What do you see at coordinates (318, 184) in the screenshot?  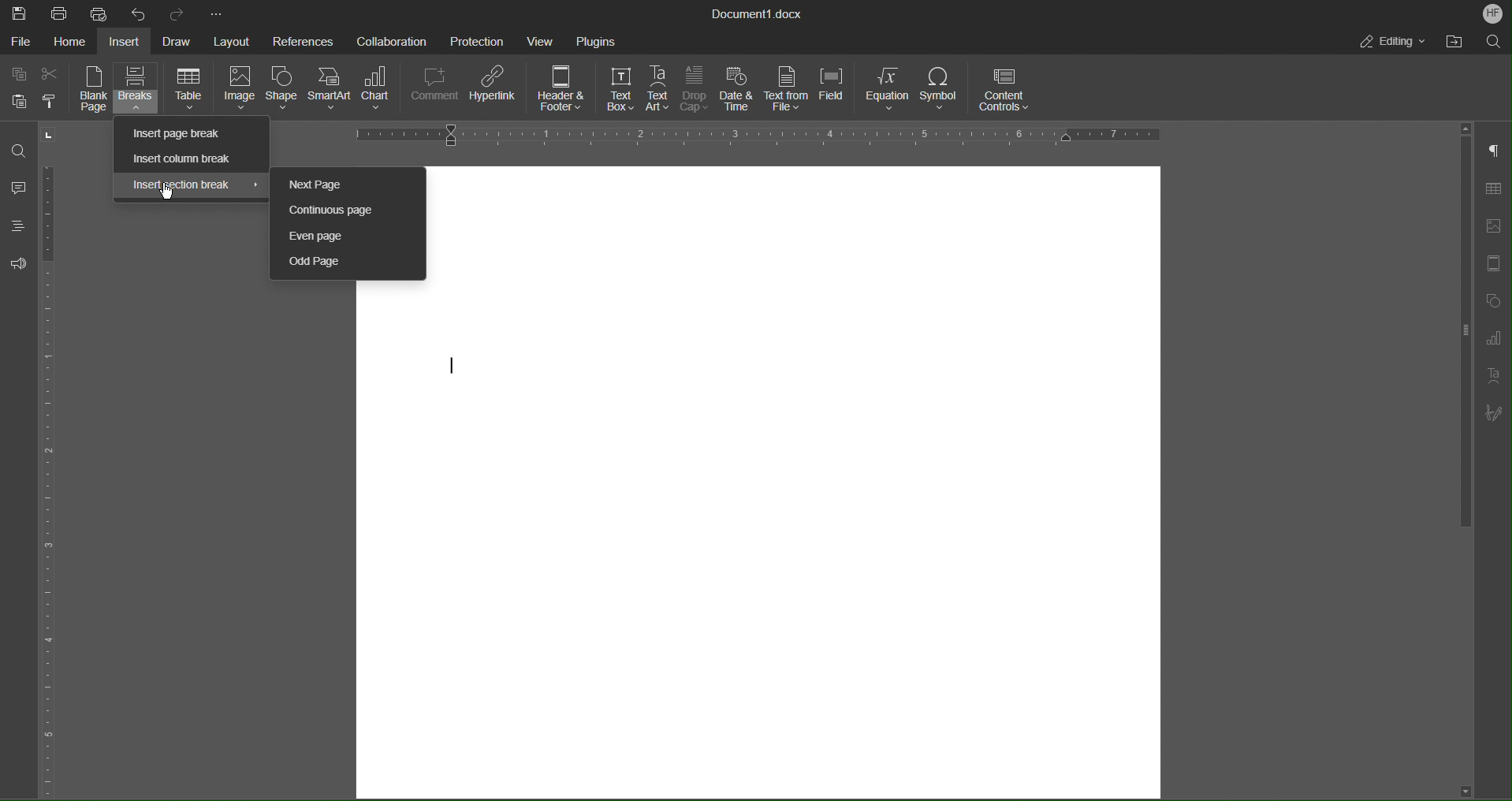 I see `Next Page` at bounding box center [318, 184].